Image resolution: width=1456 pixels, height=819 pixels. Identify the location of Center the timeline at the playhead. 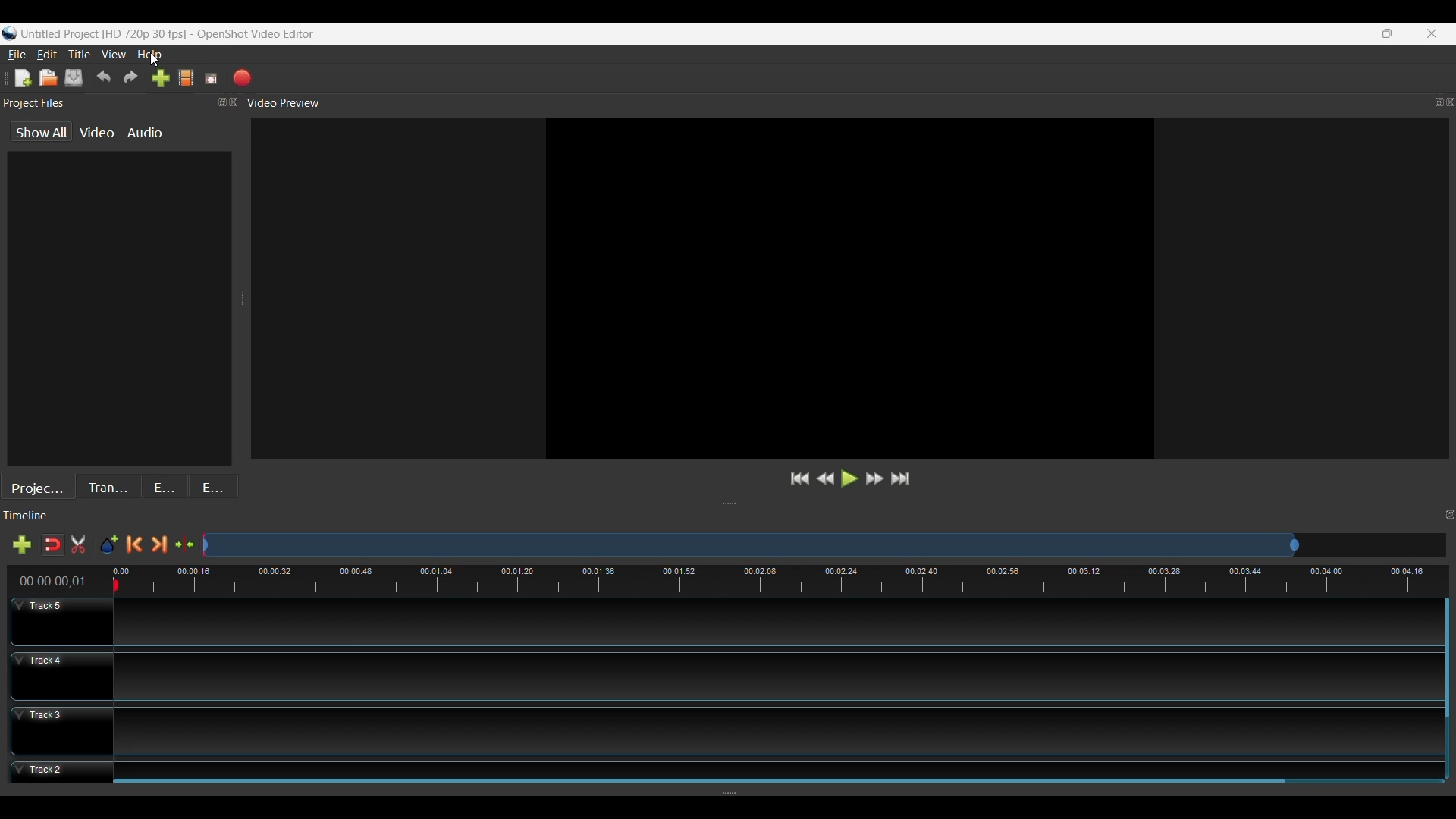
(184, 545).